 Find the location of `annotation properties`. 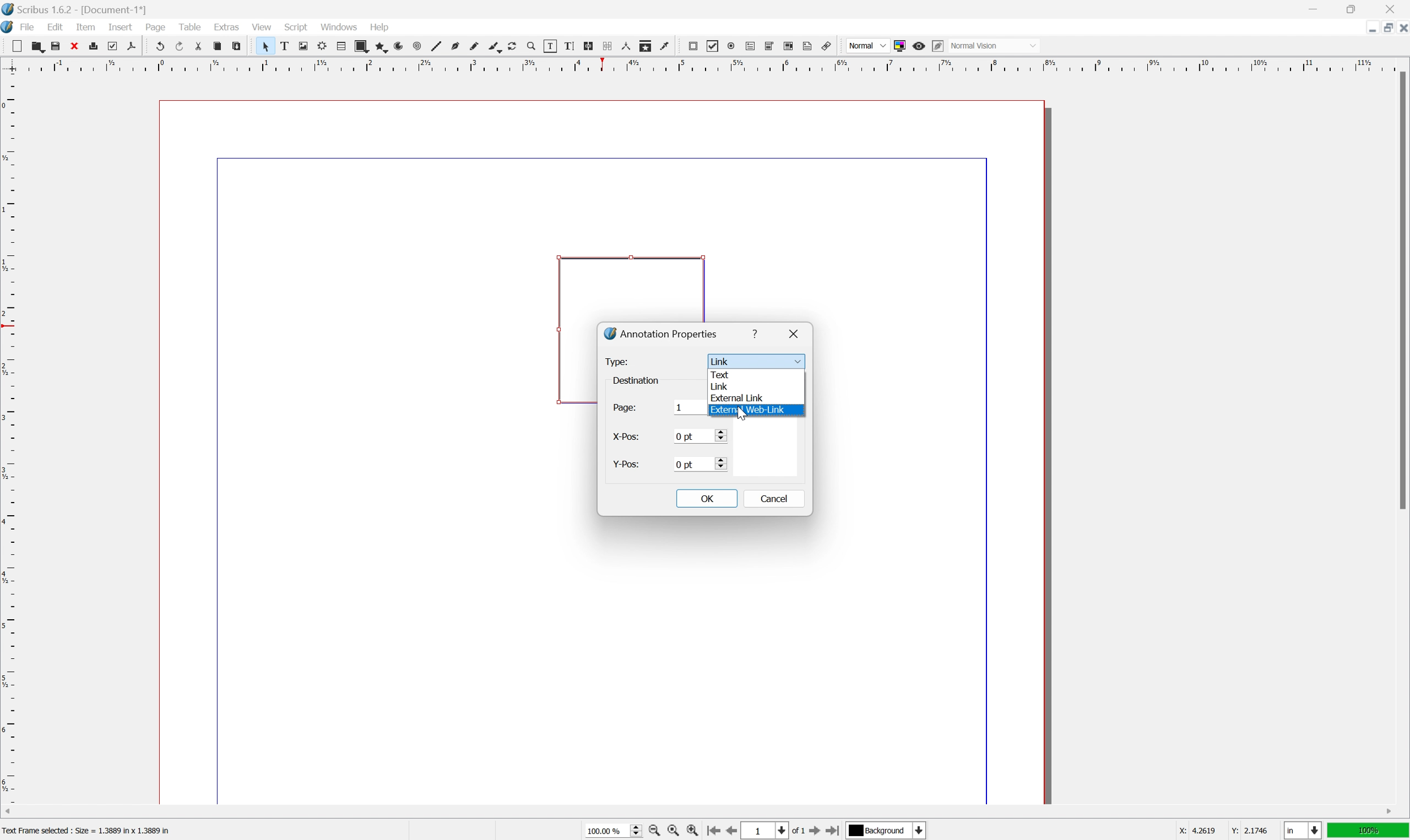

annotation properties is located at coordinates (661, 333).